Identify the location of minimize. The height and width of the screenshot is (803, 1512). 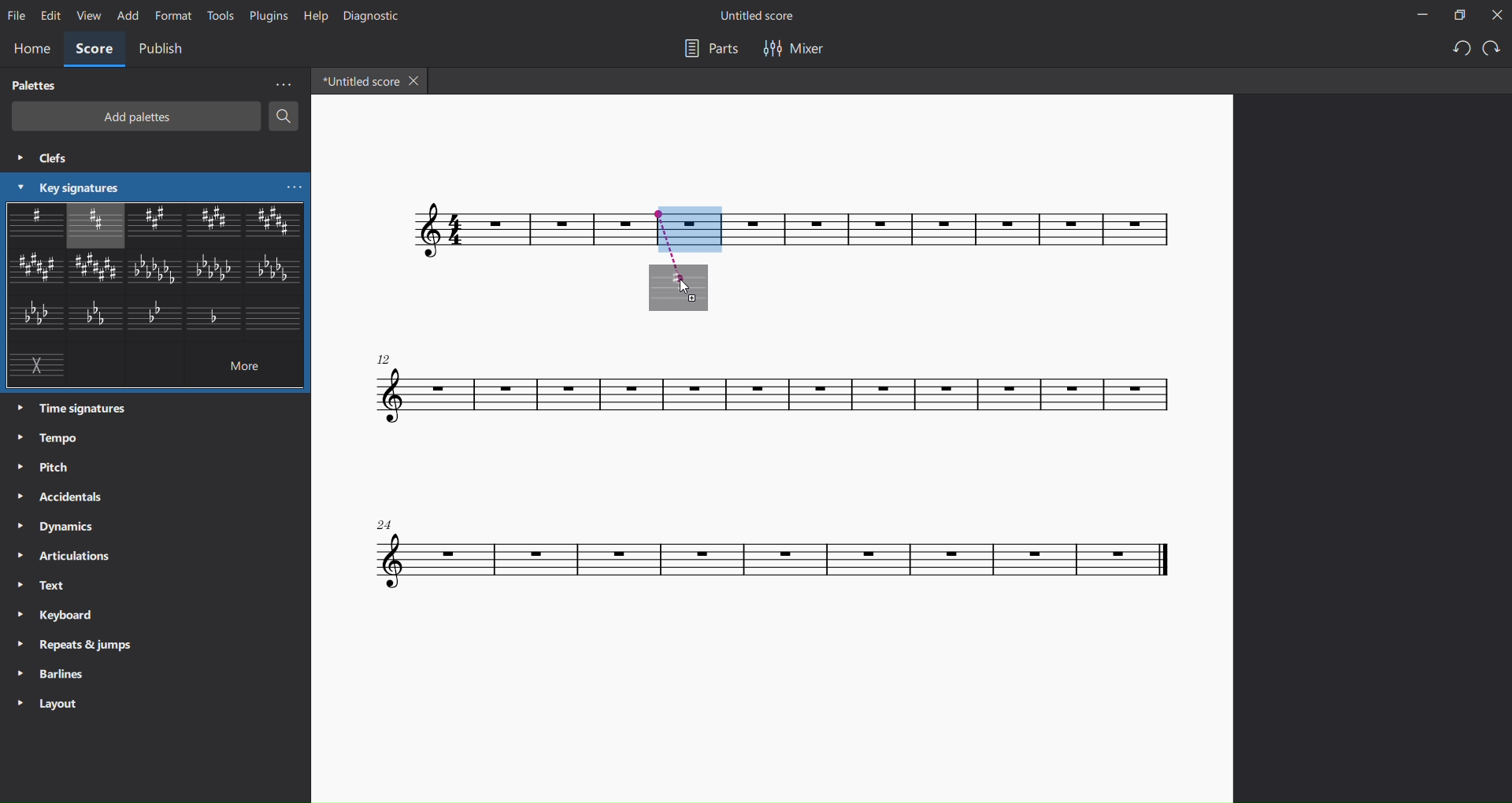
(1421, 13).